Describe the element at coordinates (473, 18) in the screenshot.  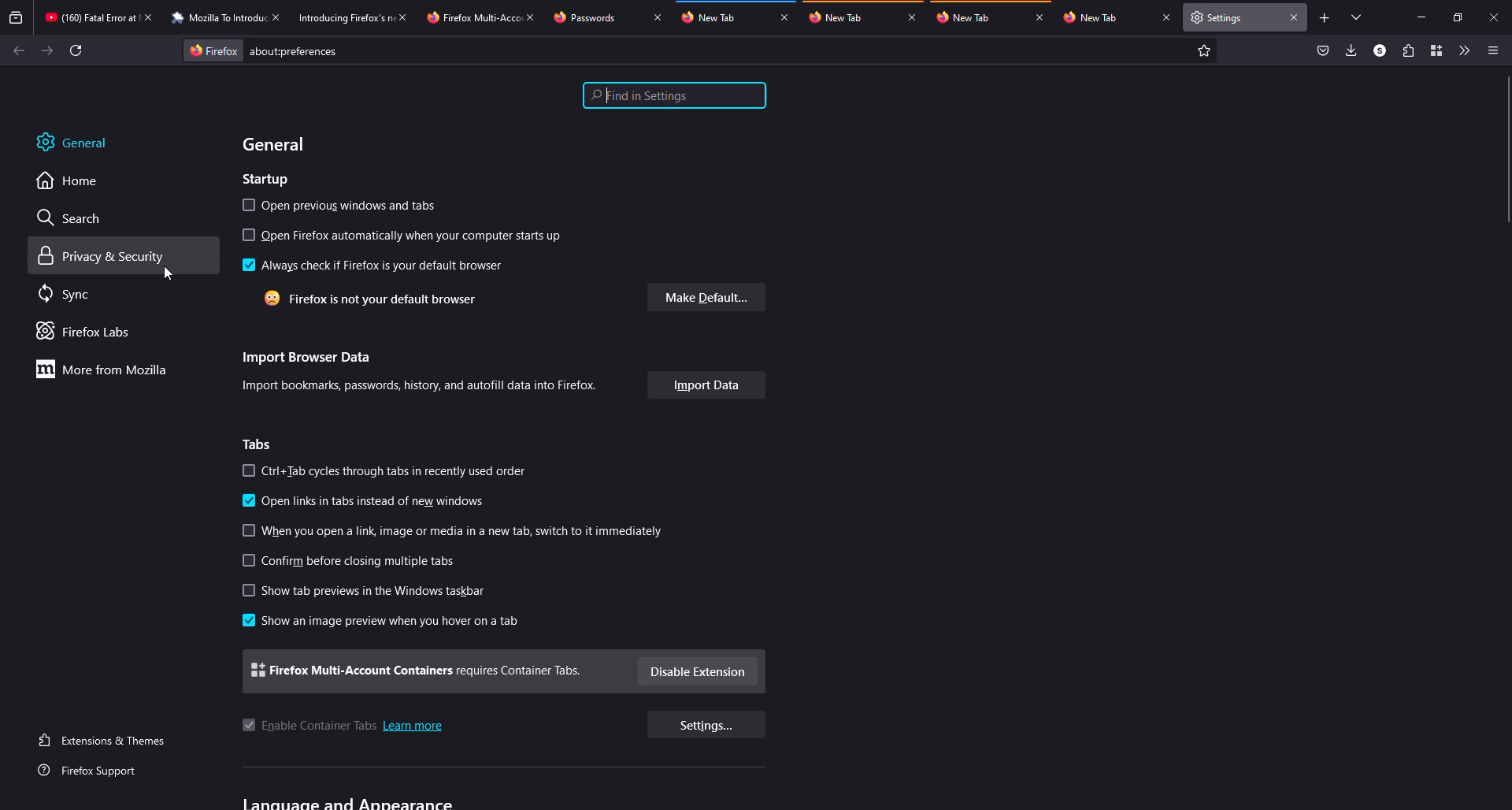
I see `tab` at that location.